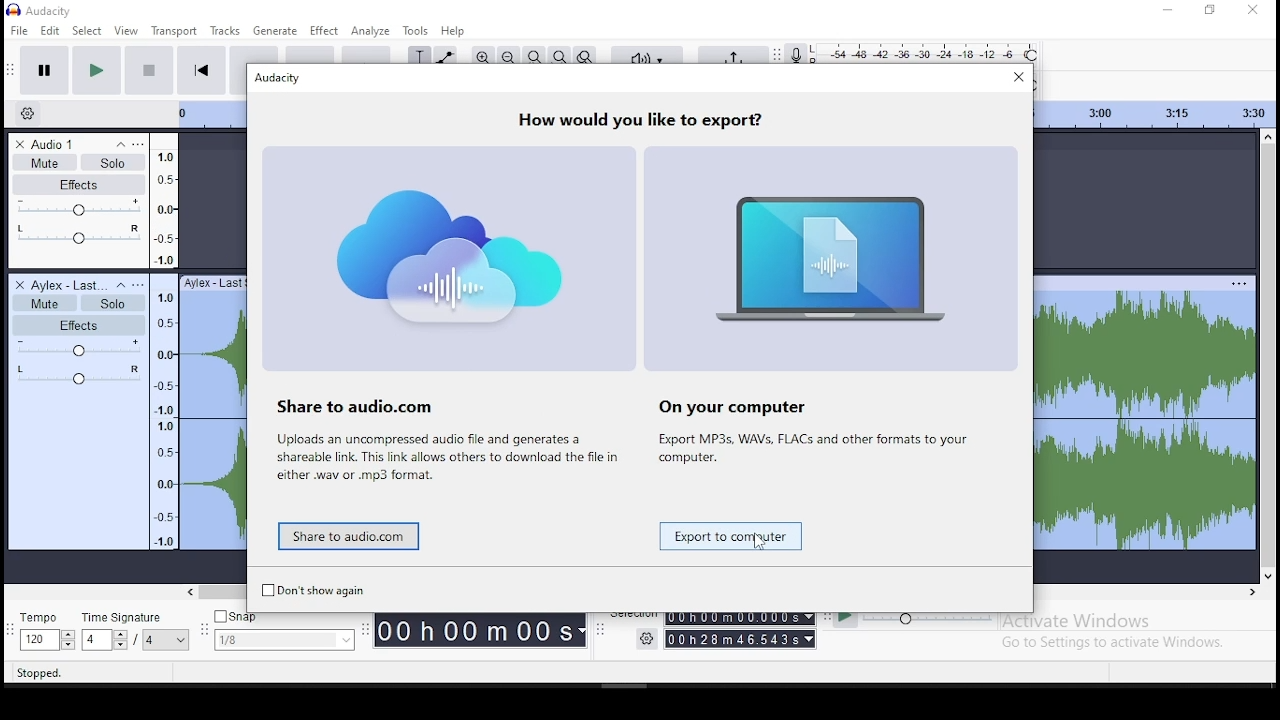 The image size is (1280, 720). Describe the element at coordinates (176, 31) in the screenshot. I see `transport` at that location.